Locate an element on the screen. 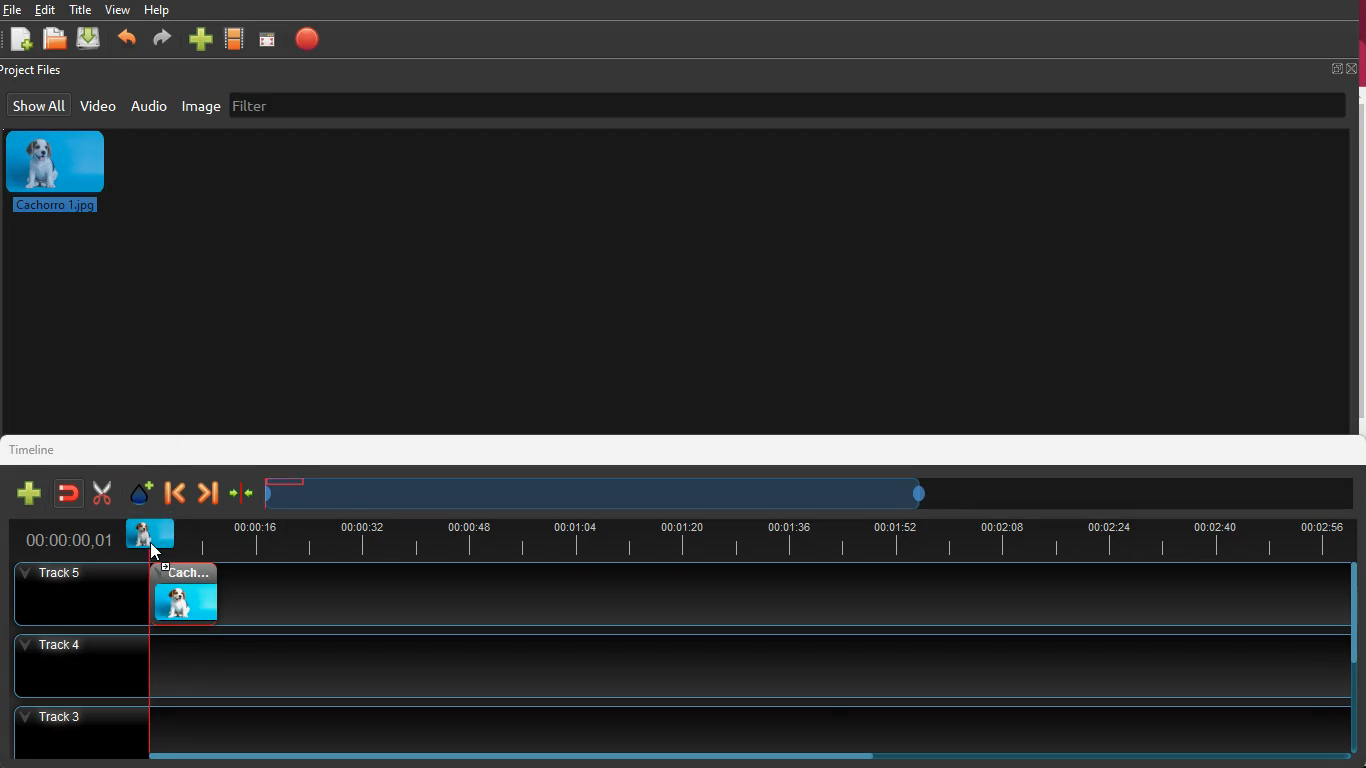 Image resolution: width=1366 pixels, height=768 pixels. more is located at coordinates (200, 39).